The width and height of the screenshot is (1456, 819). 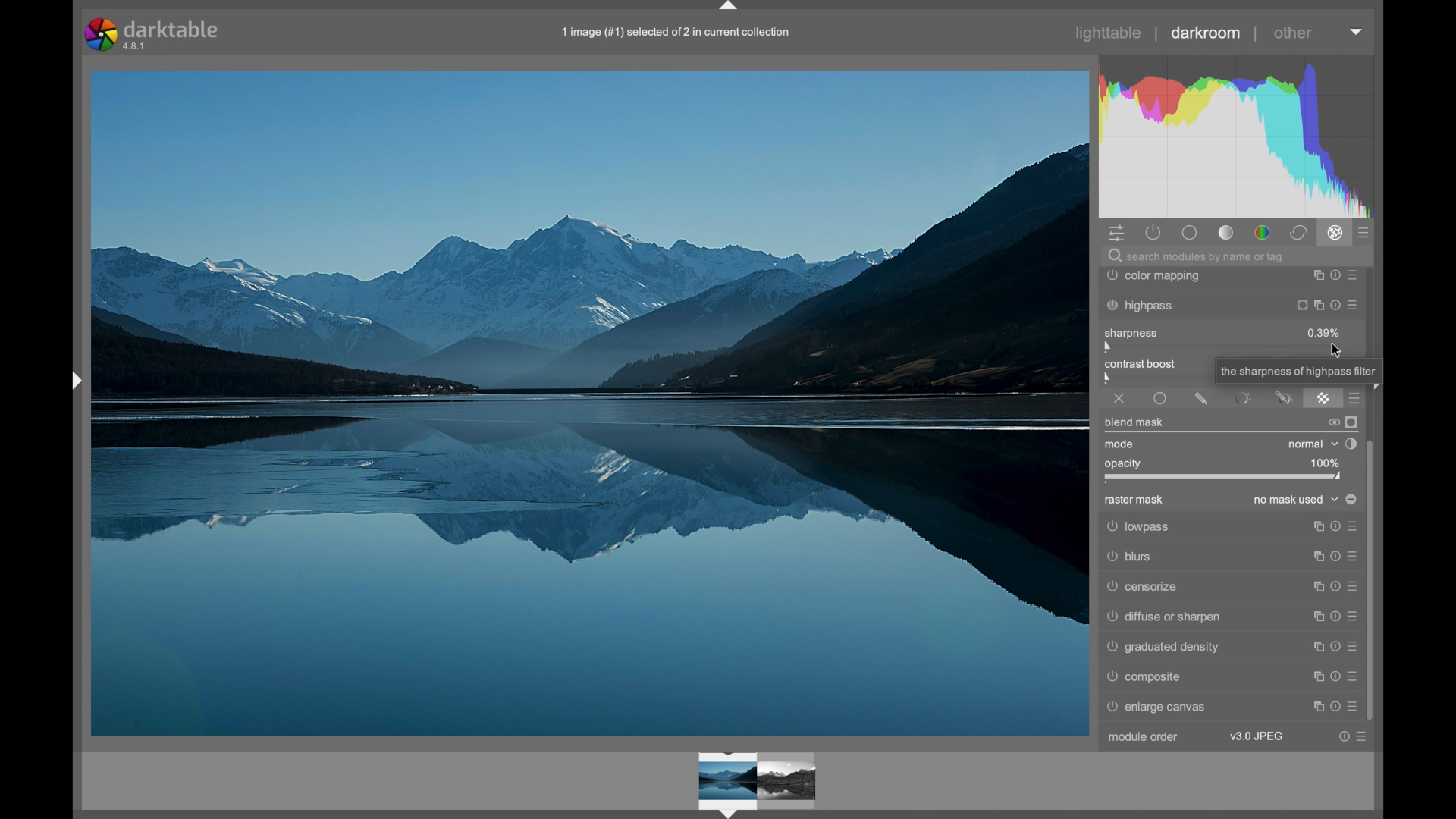 I want to click on display mask, so click(x=1352, y=422).